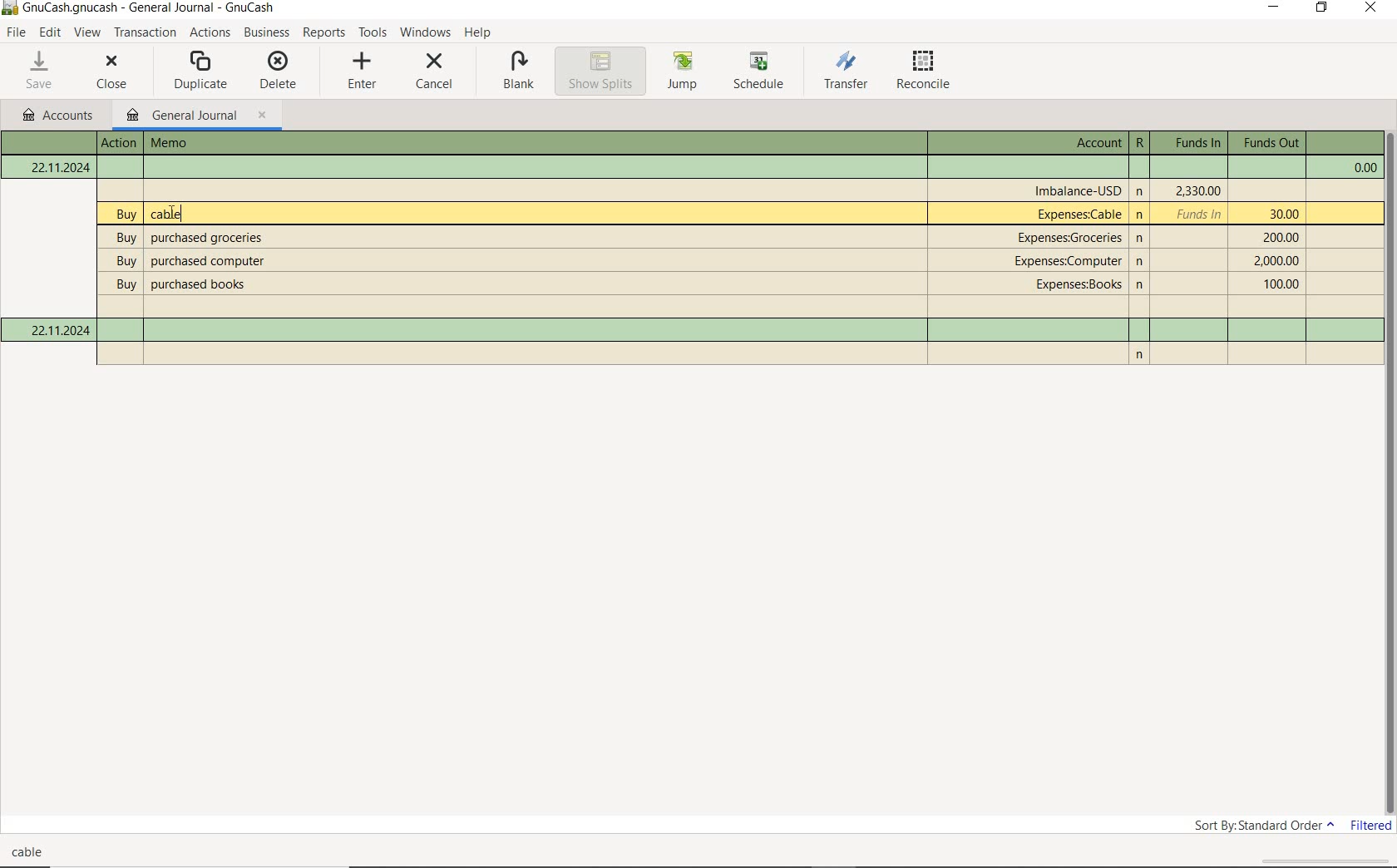  I want to click on blank, so click(515, 72).